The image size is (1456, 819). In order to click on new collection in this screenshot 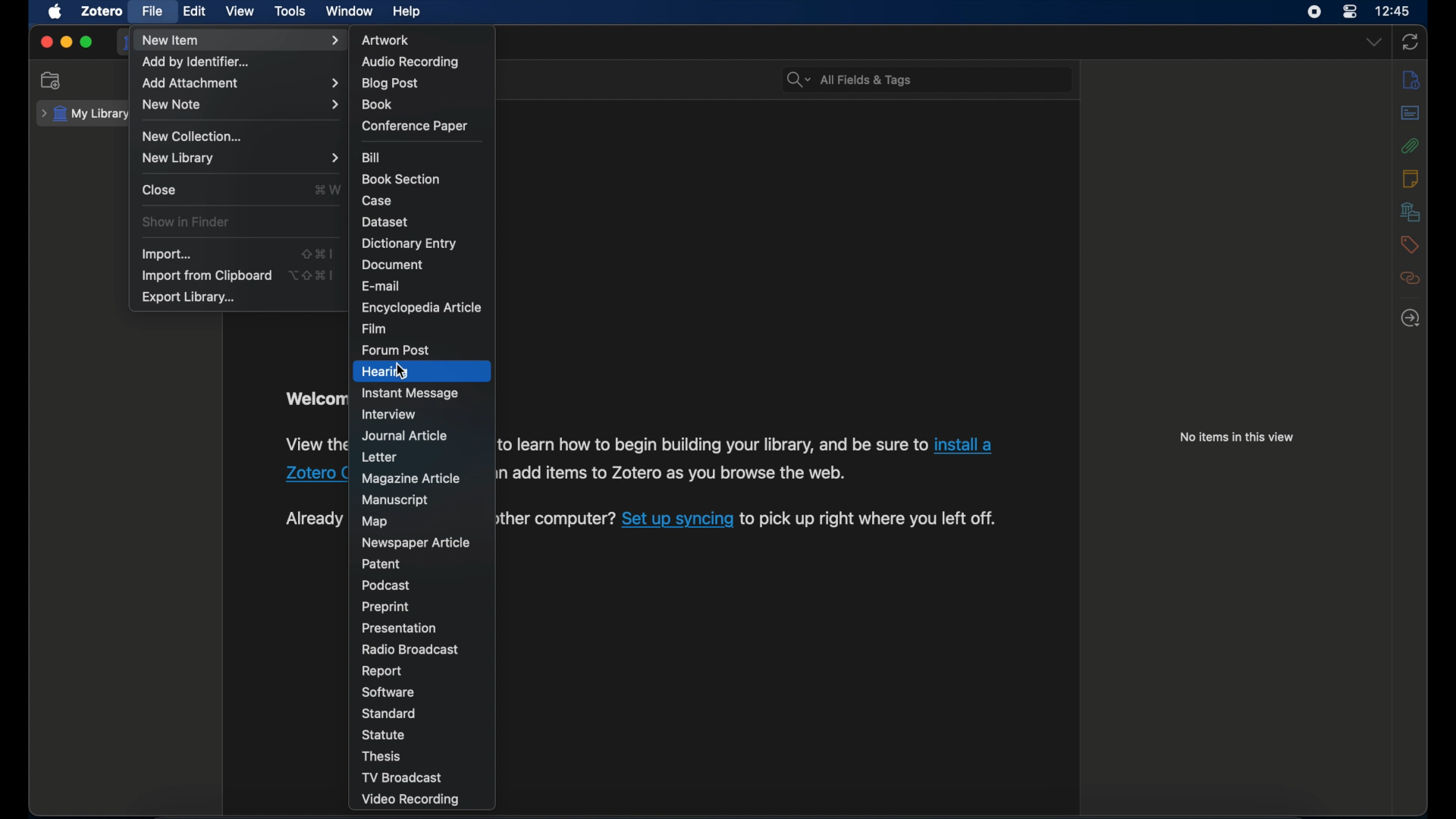, I will do `click(53, 80)`.